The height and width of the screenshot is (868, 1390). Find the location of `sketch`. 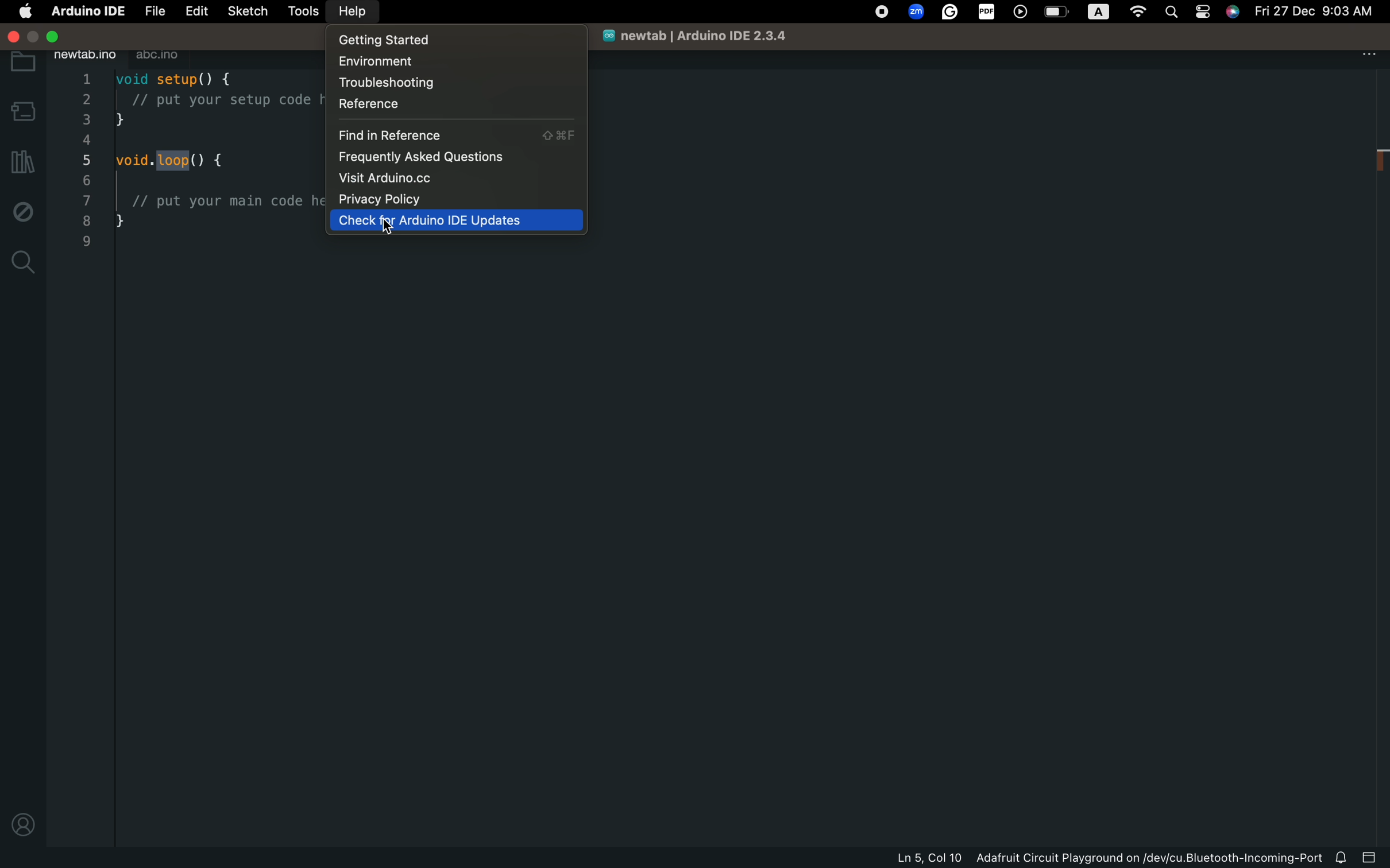

sketch is located at coordinates (244, 11).